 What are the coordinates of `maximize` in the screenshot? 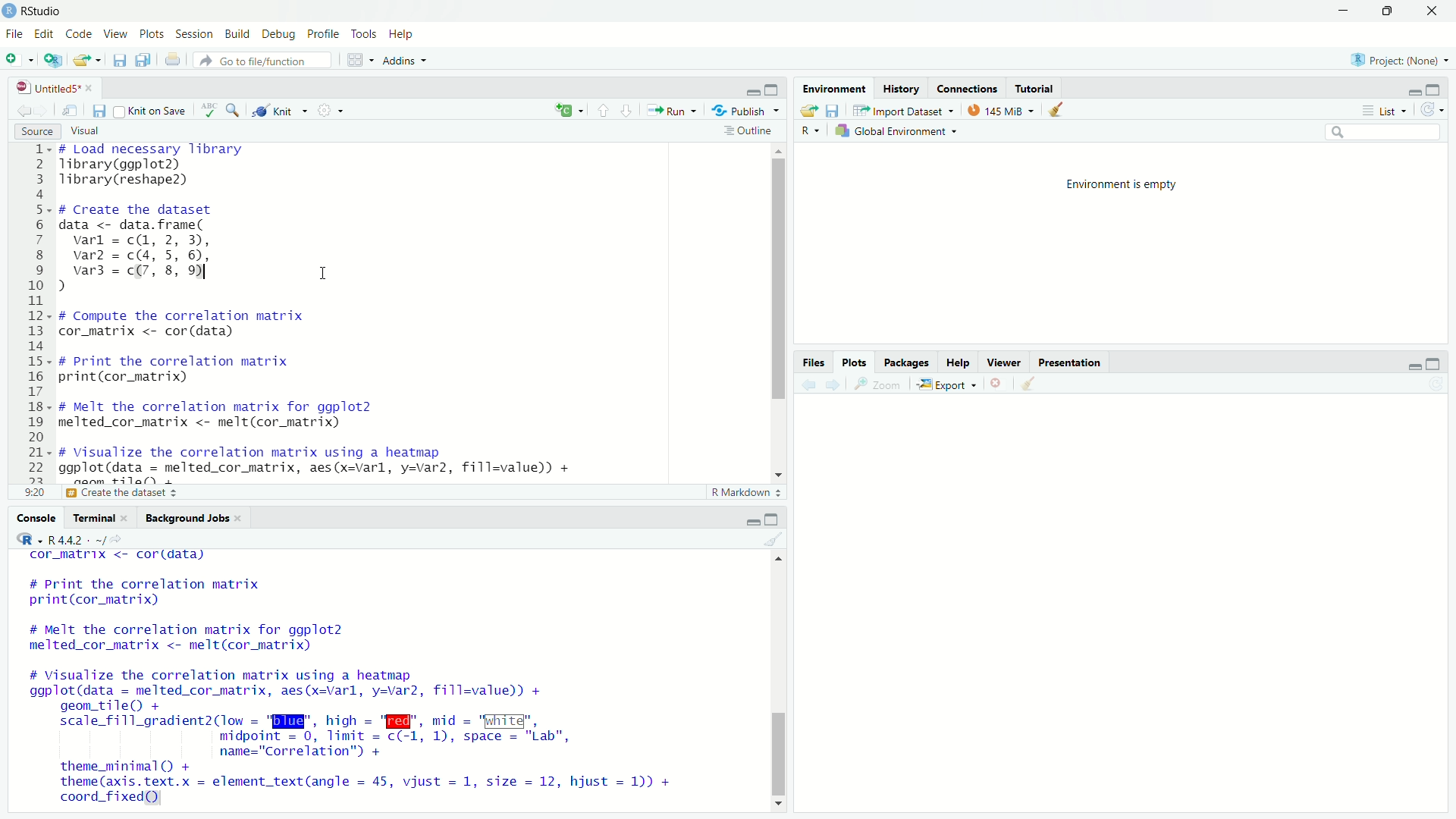 It's located at (1435, 364).